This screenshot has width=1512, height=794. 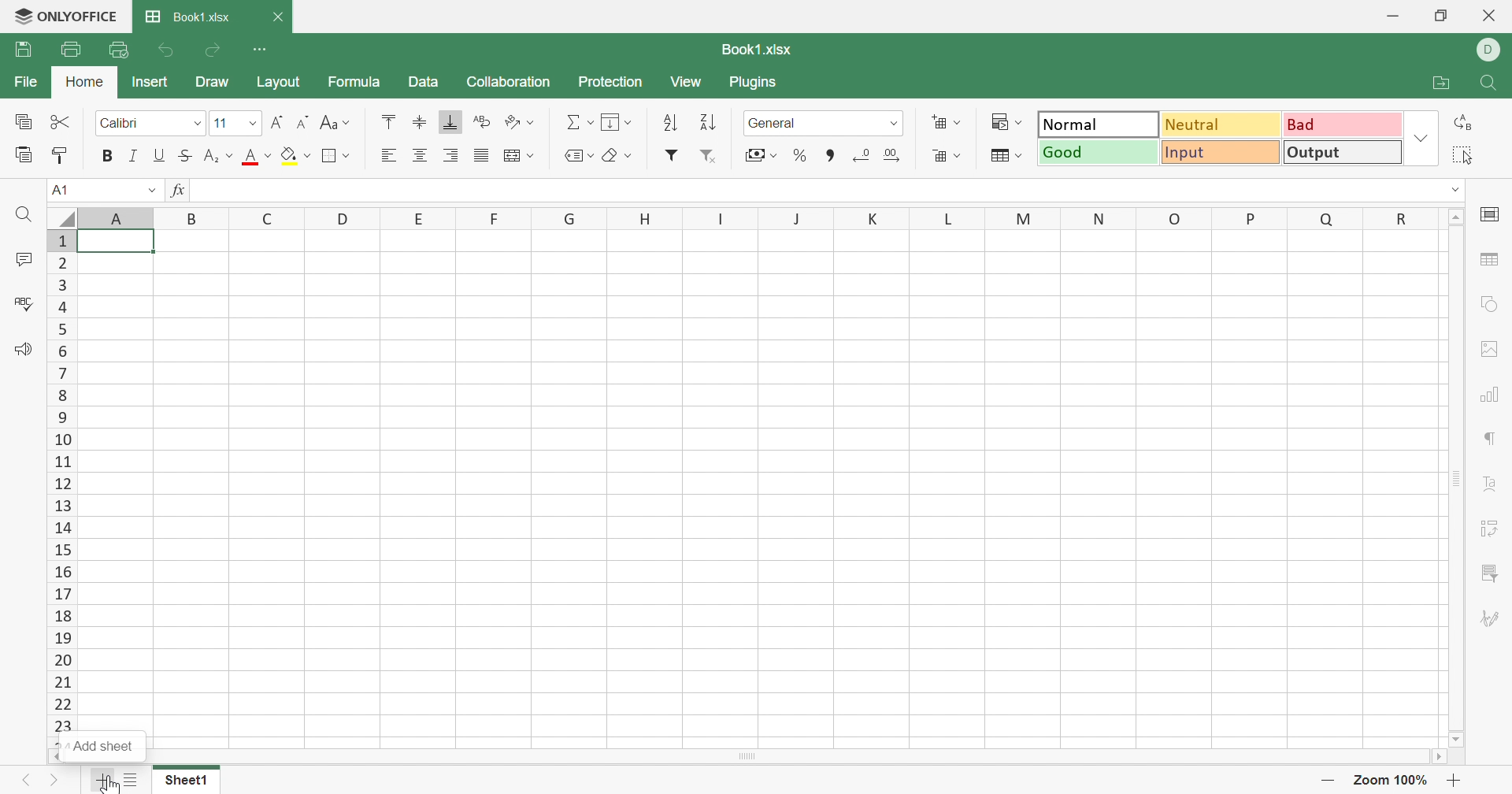 What do you see at coordinates (1492, 302) in the screenshot?
I see `Shape settings` at bounding box center [1492, 302].